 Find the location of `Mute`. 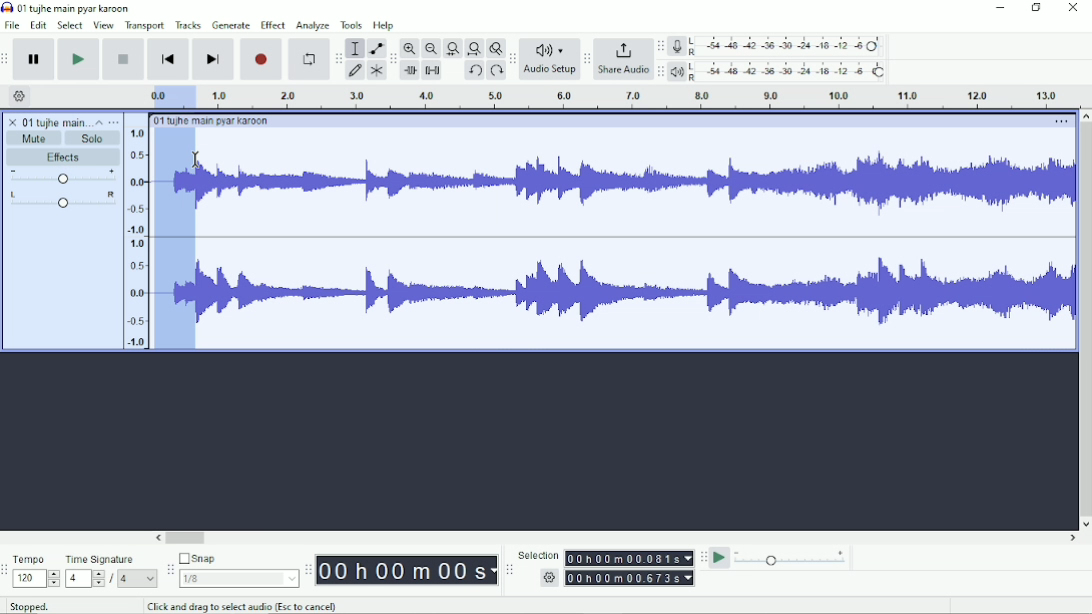

Mute is located at coordinates (35, 138).